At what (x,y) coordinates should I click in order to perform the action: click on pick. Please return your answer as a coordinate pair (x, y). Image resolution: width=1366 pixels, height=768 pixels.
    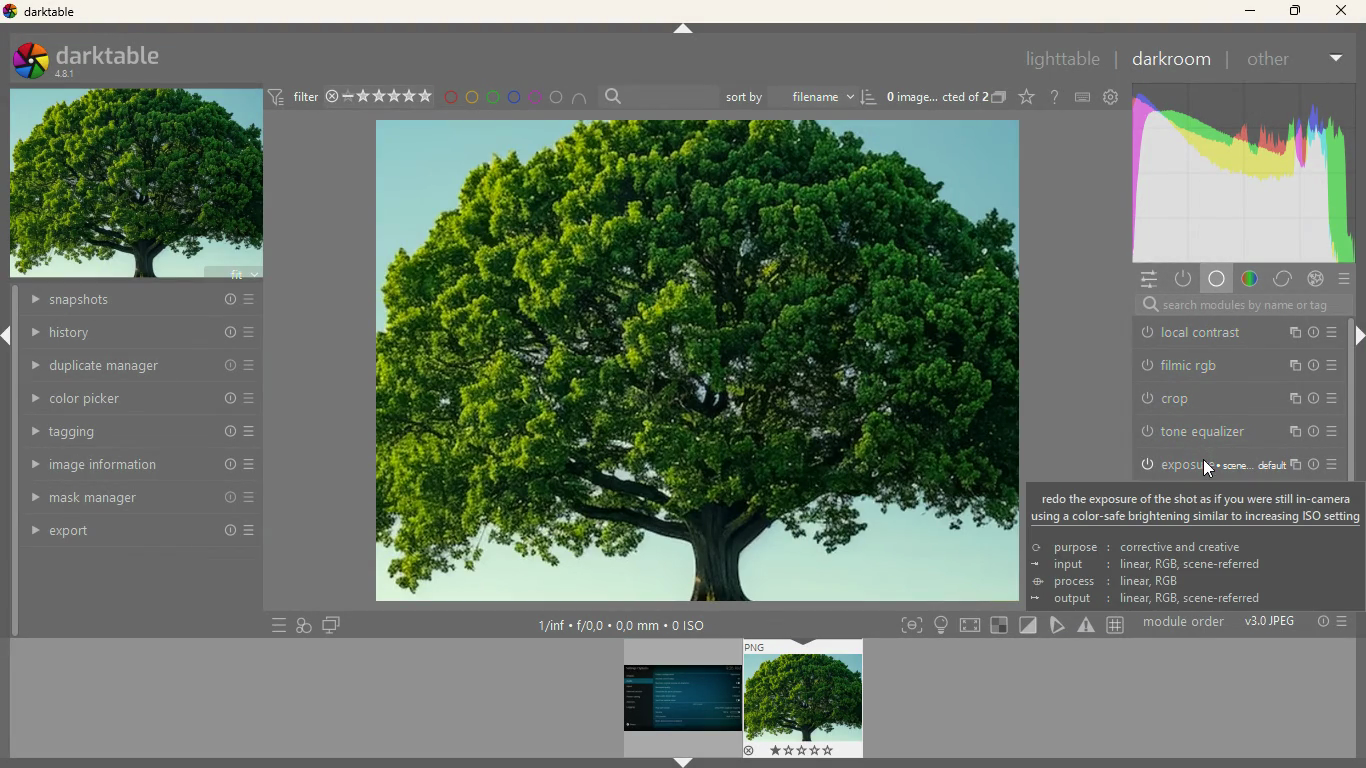
    Looking at the image, I should click on (1057, 625).